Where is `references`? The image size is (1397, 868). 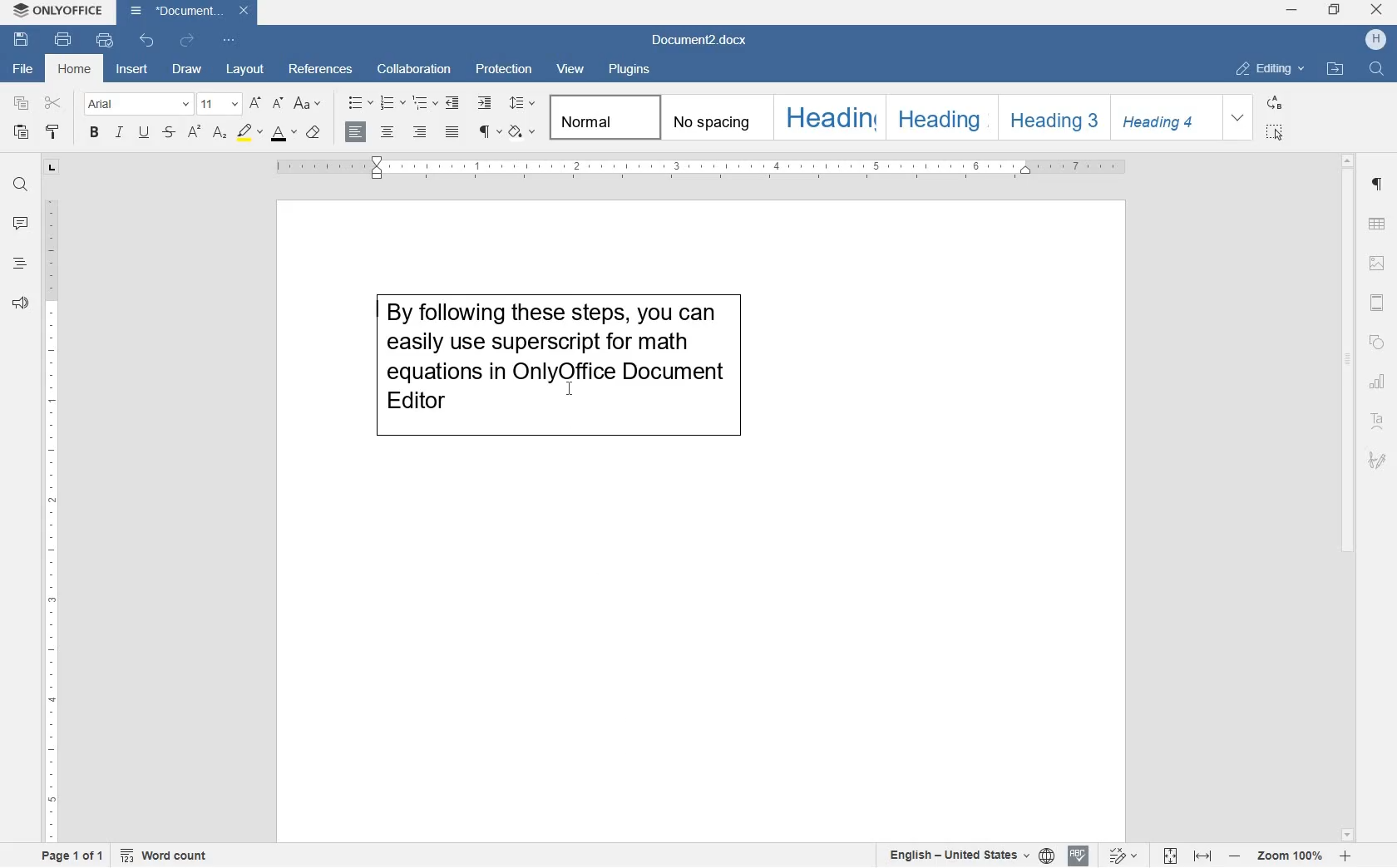 references is located at coordinates (321, 72).